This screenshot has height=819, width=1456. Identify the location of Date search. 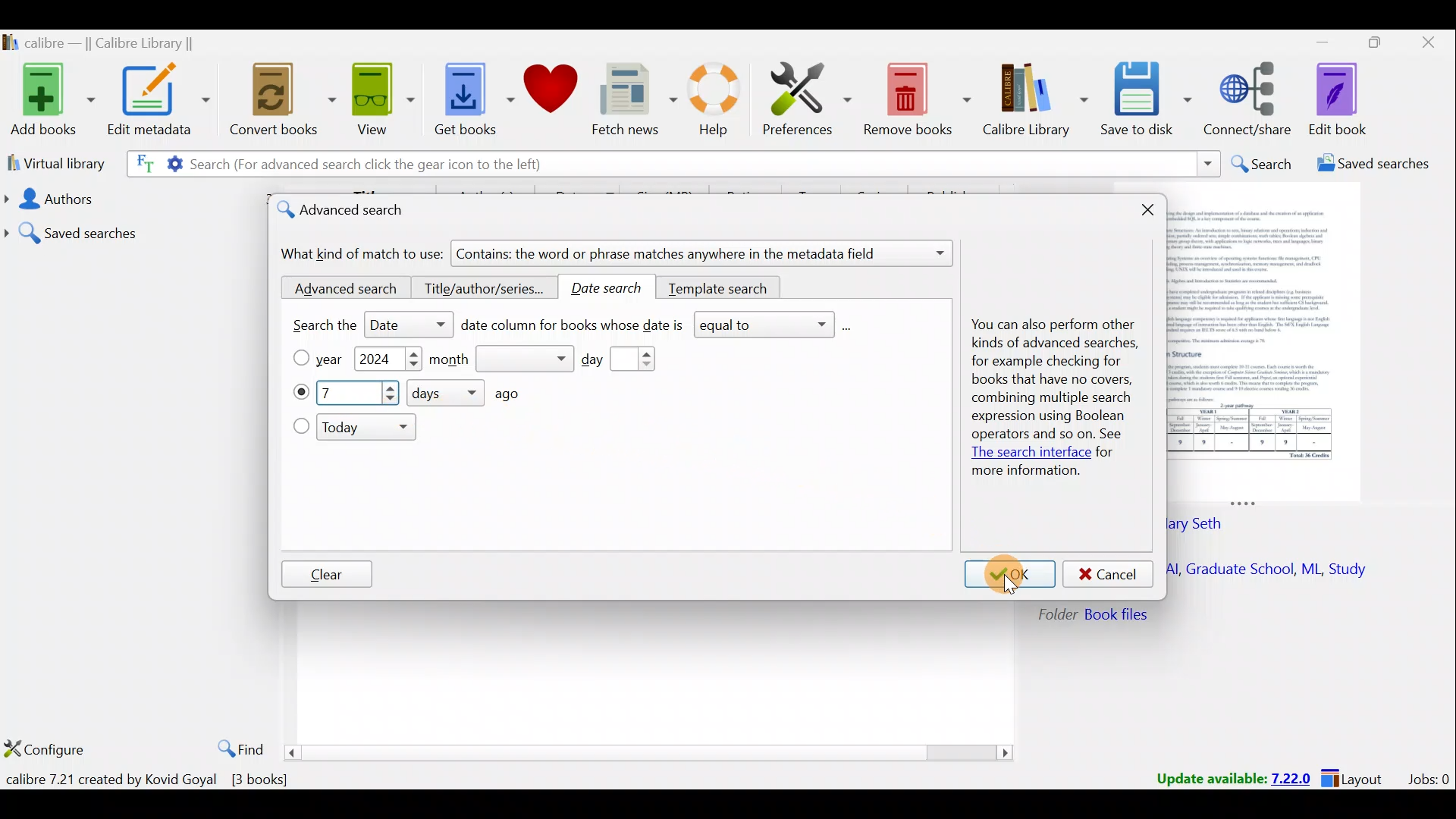
(613, 288).